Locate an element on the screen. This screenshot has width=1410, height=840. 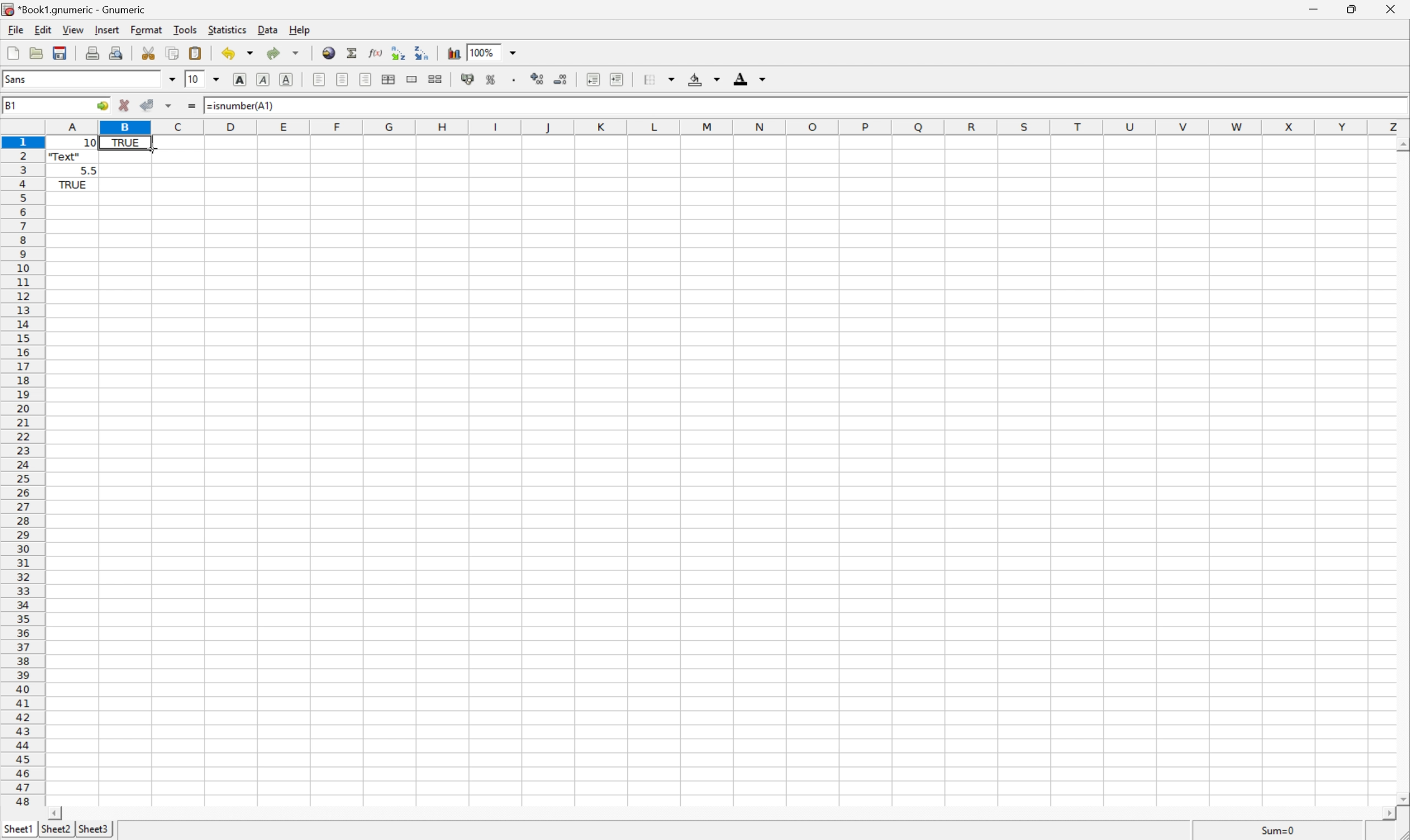
Close is located at coordinates (1392, 8).